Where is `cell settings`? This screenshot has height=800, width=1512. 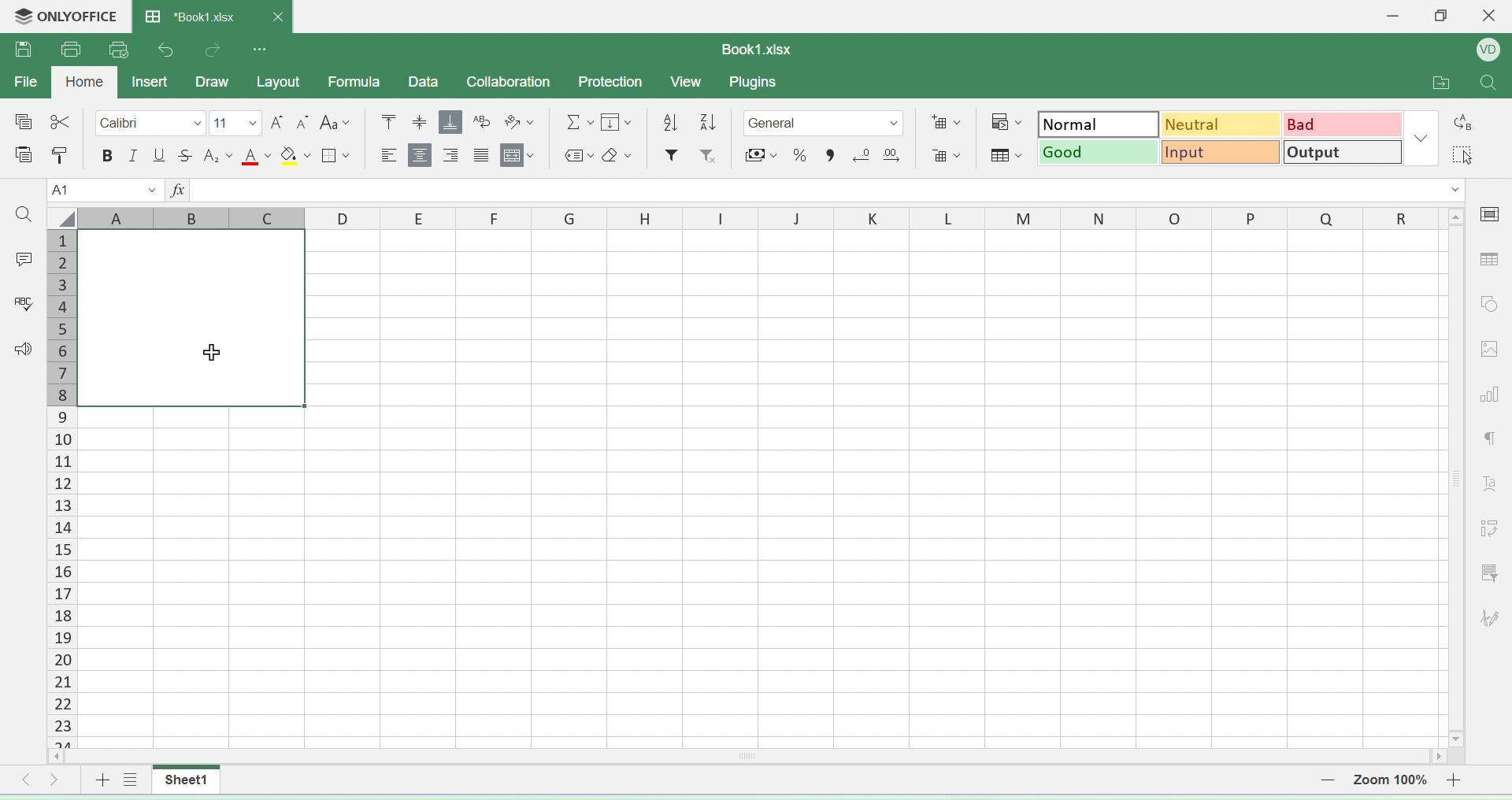
cell settings is located at coordinates (1493, 217).